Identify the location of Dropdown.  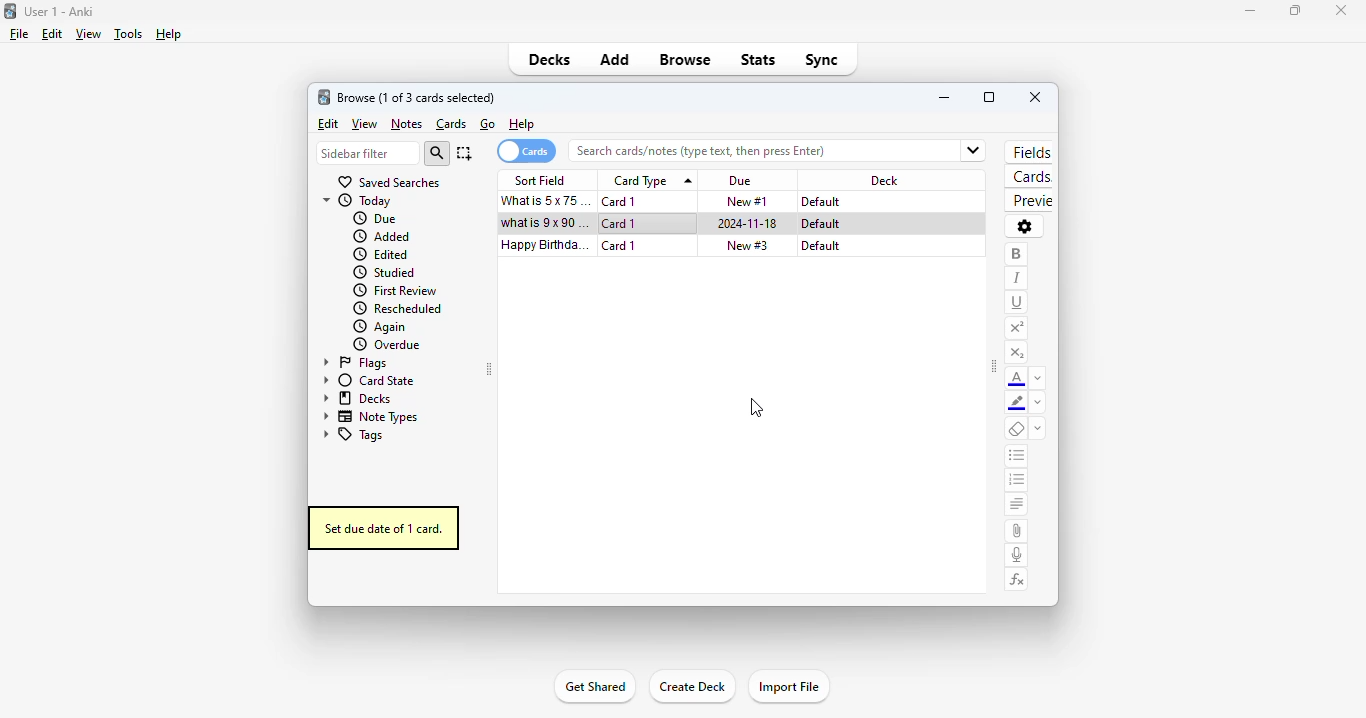
(976, 148).